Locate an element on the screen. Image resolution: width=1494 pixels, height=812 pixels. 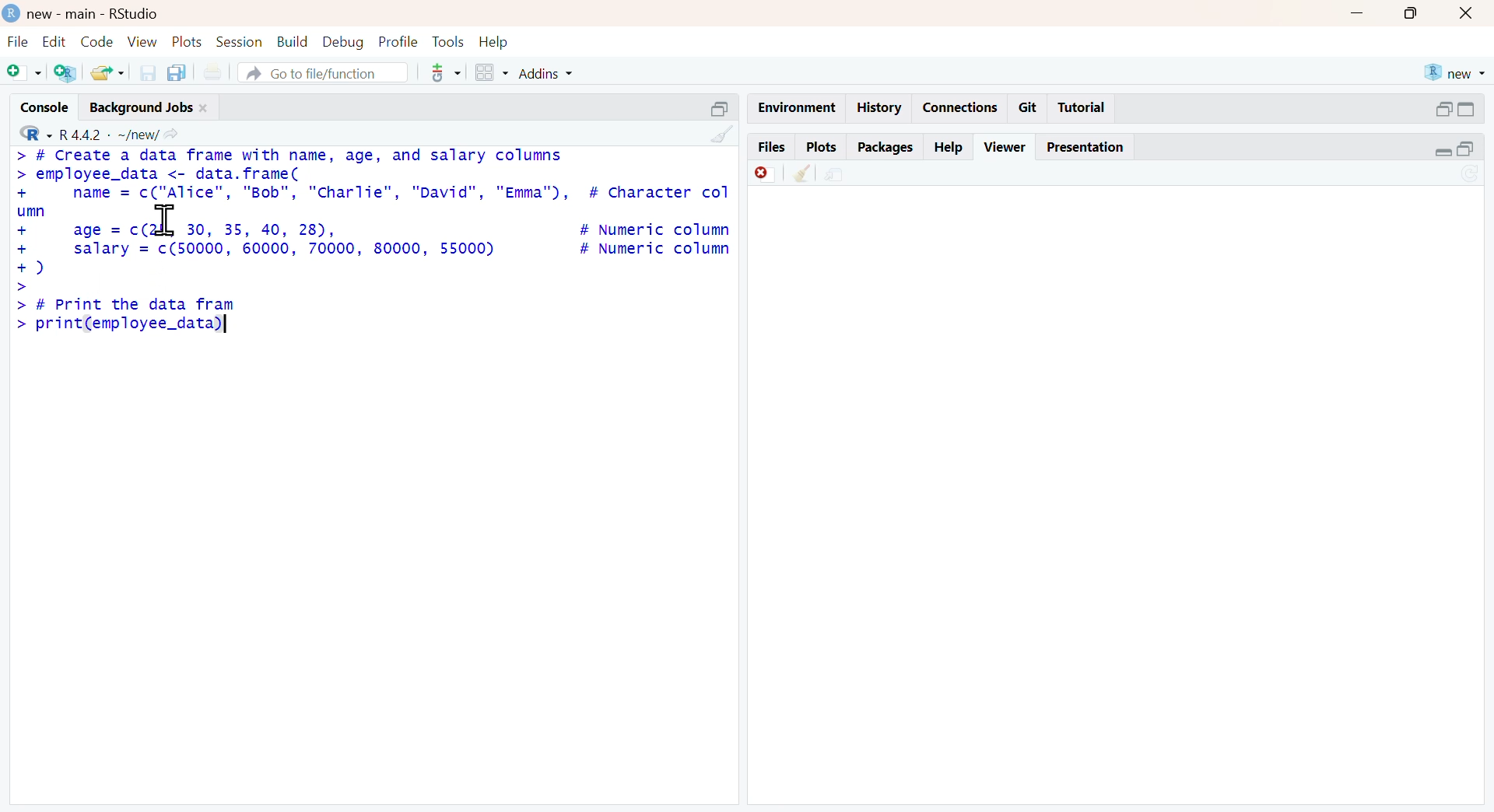
Tools is located at coordinates (445, 40).